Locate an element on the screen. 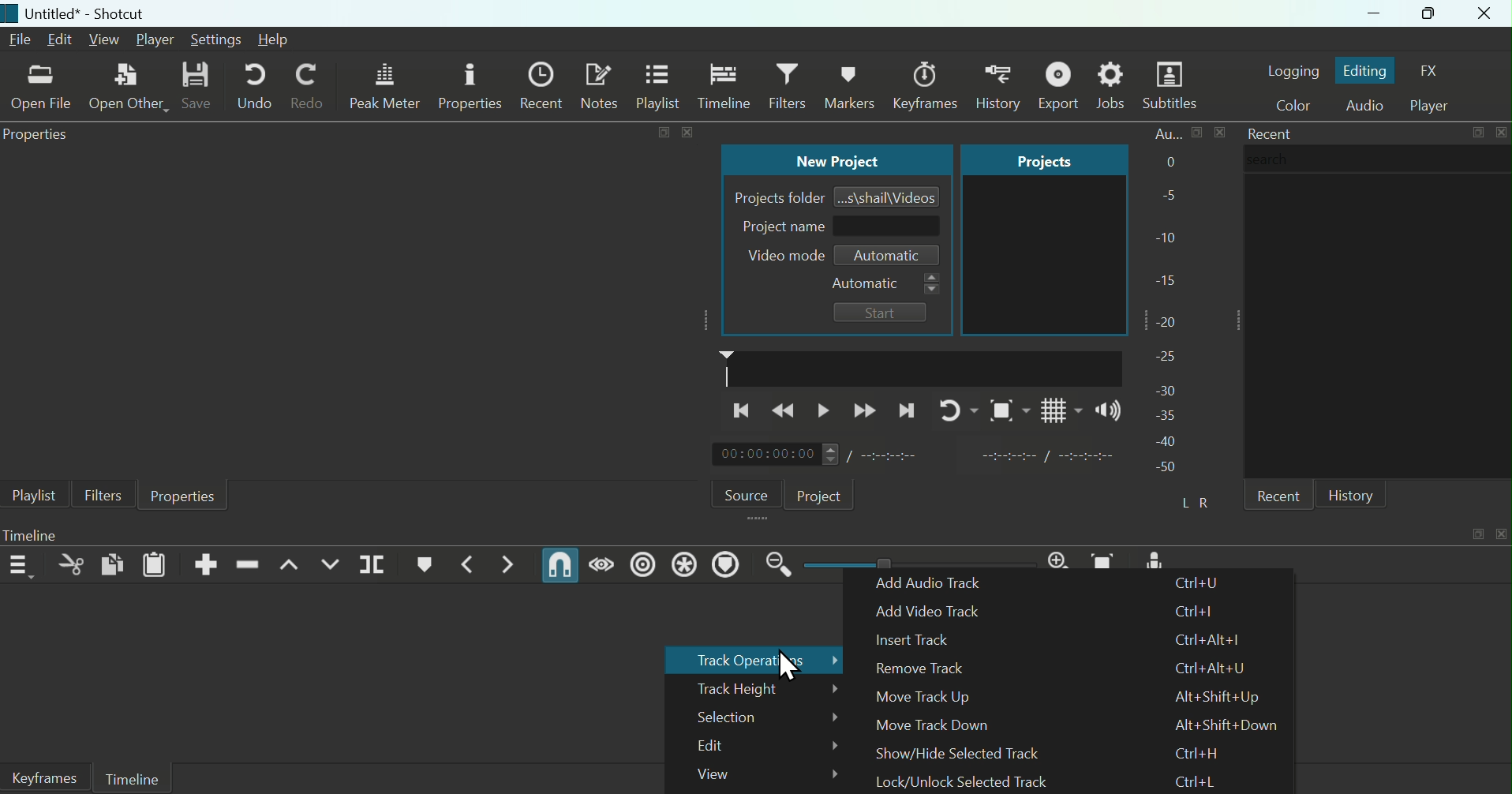  Filters is located at coordinates (789, 87).